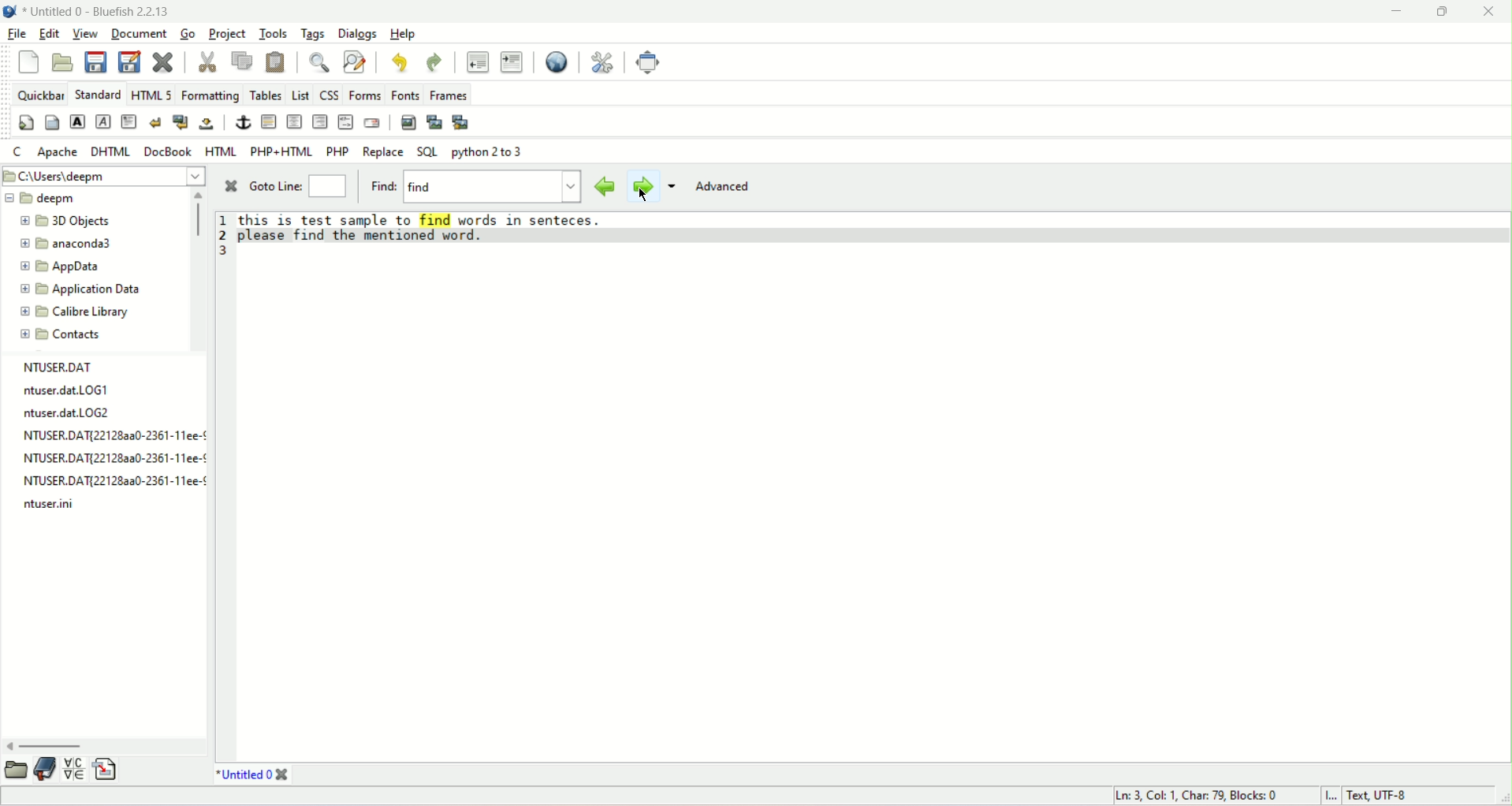 The width and height of the screenshot is (1512, 806). Describe the element at coordinates (642, 188) in the screenshot. I see `next` at that location.